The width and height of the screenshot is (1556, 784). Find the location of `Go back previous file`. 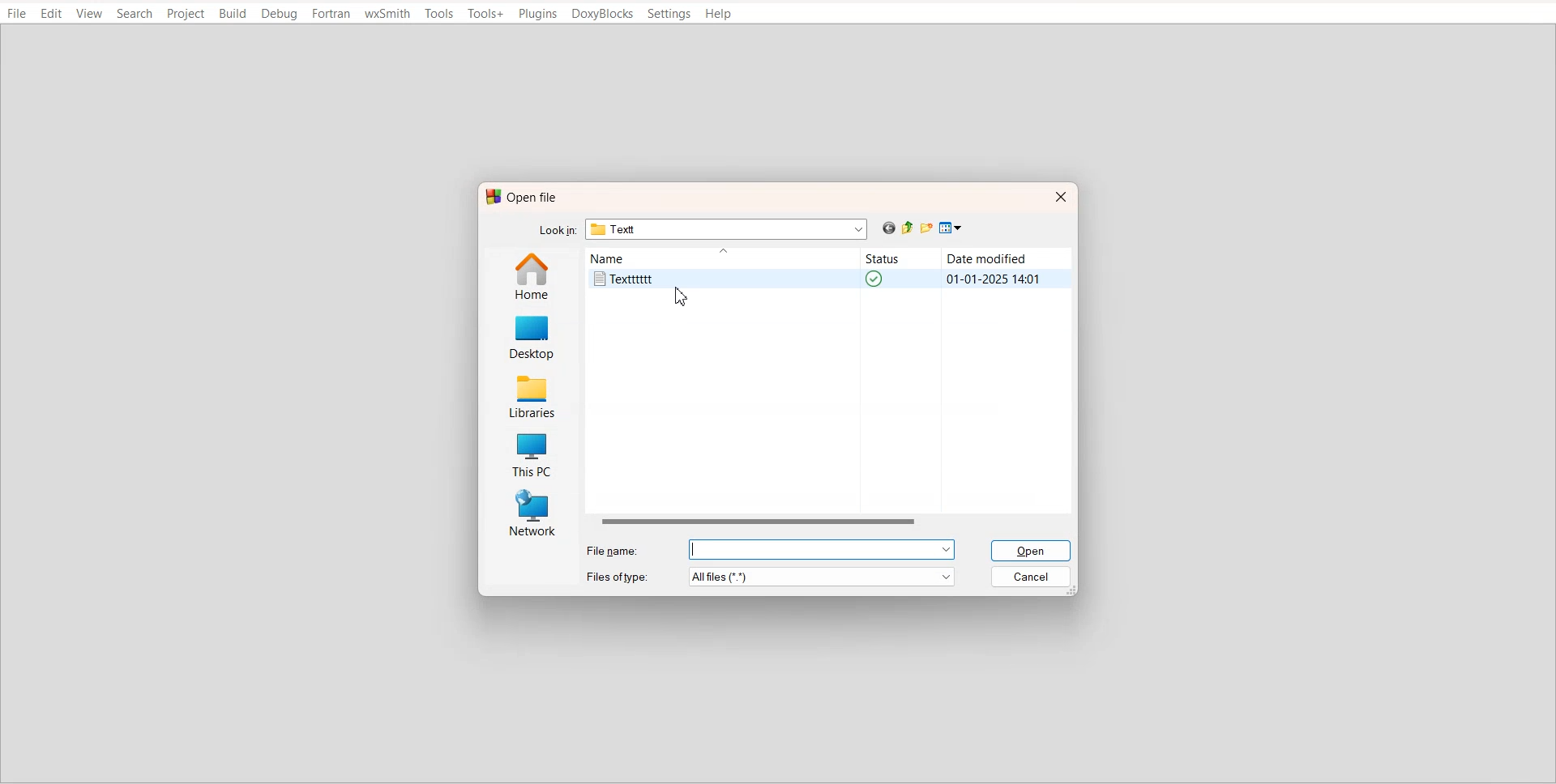

Go back previous file is located at coordinates (888, 228).